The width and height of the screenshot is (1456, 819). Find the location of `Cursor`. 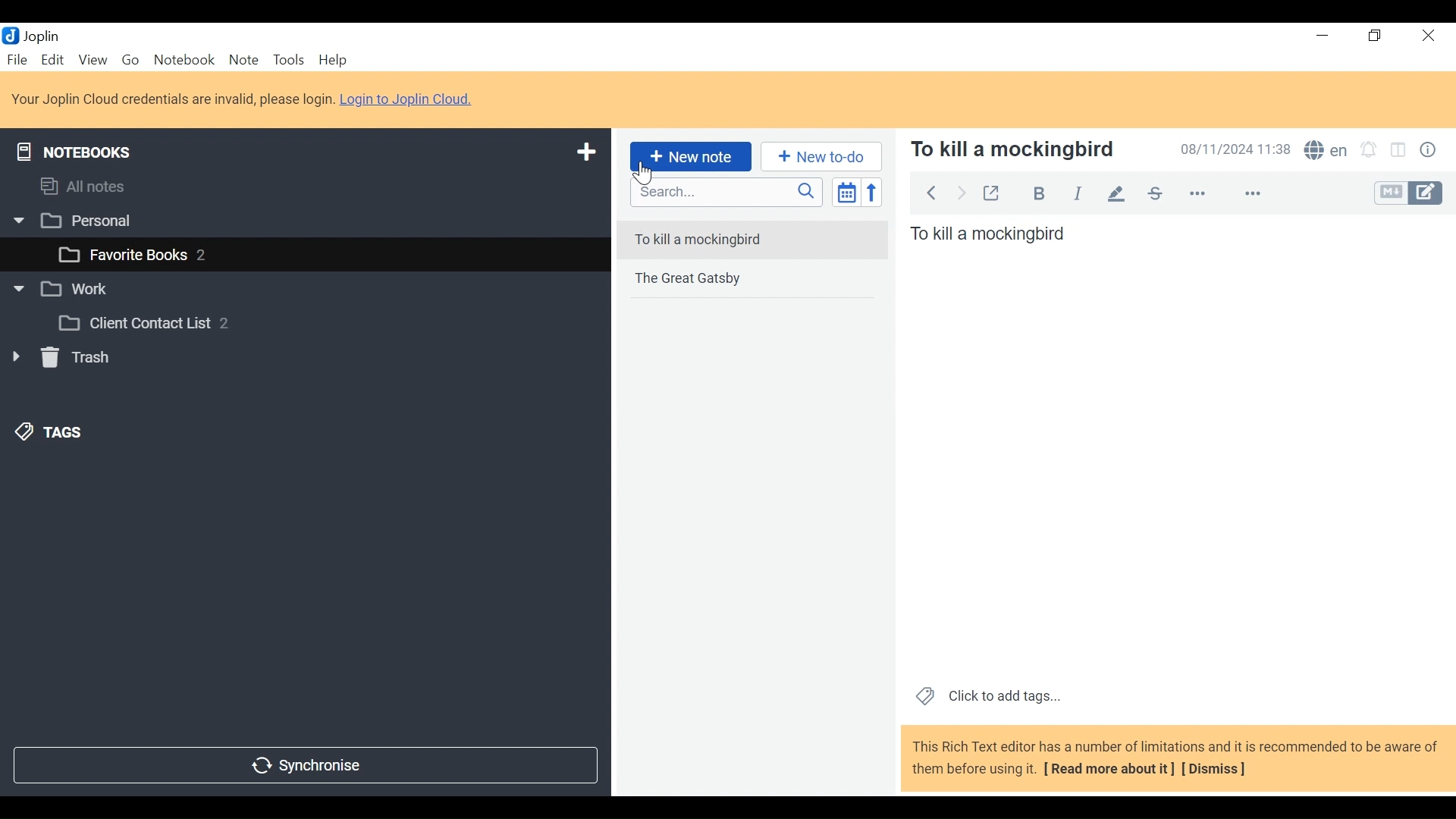

Cursor is located at coordinates (639, 173).